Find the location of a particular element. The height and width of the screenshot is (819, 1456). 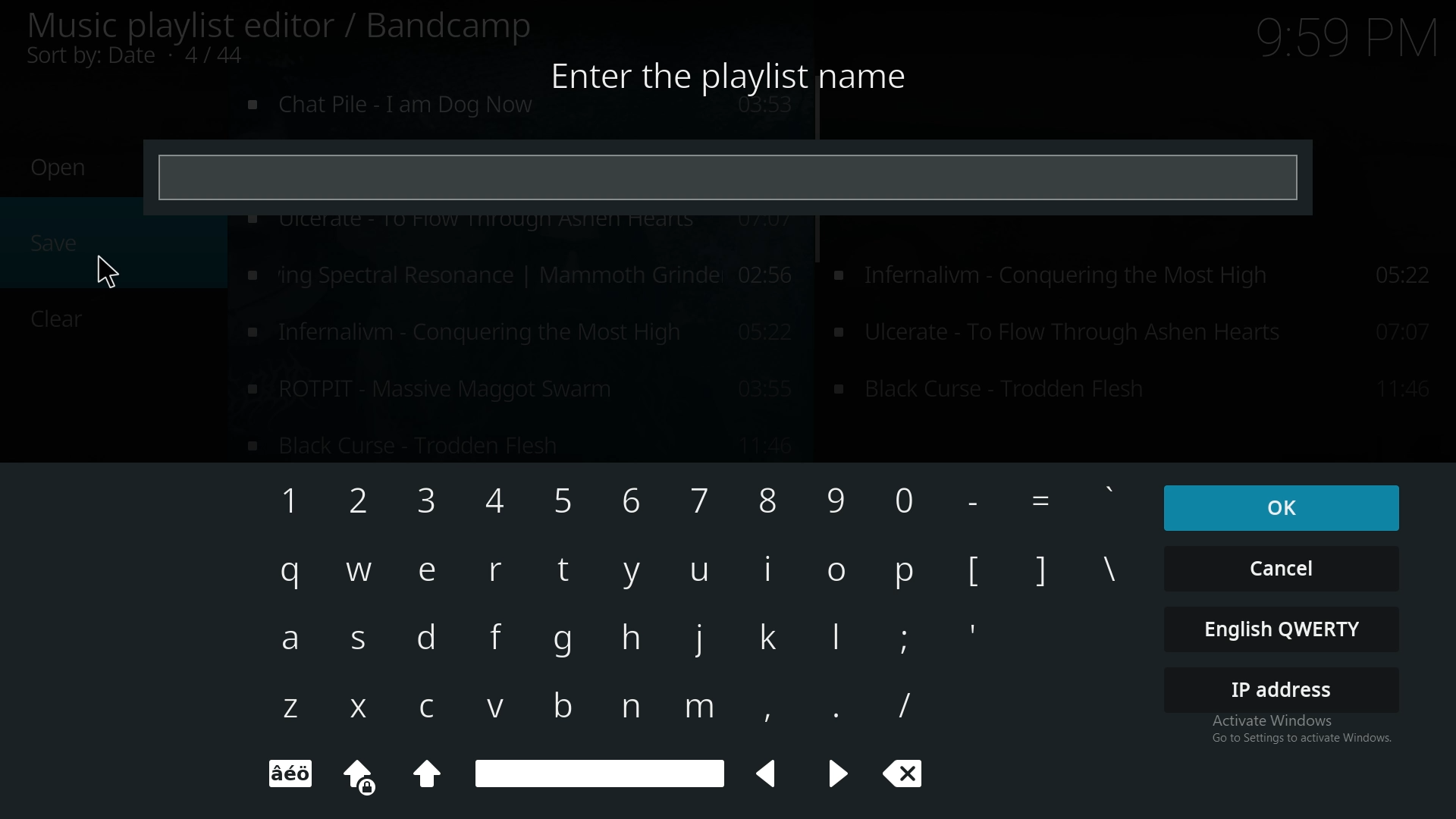

keyboard input is located at coordinates (702, 642).